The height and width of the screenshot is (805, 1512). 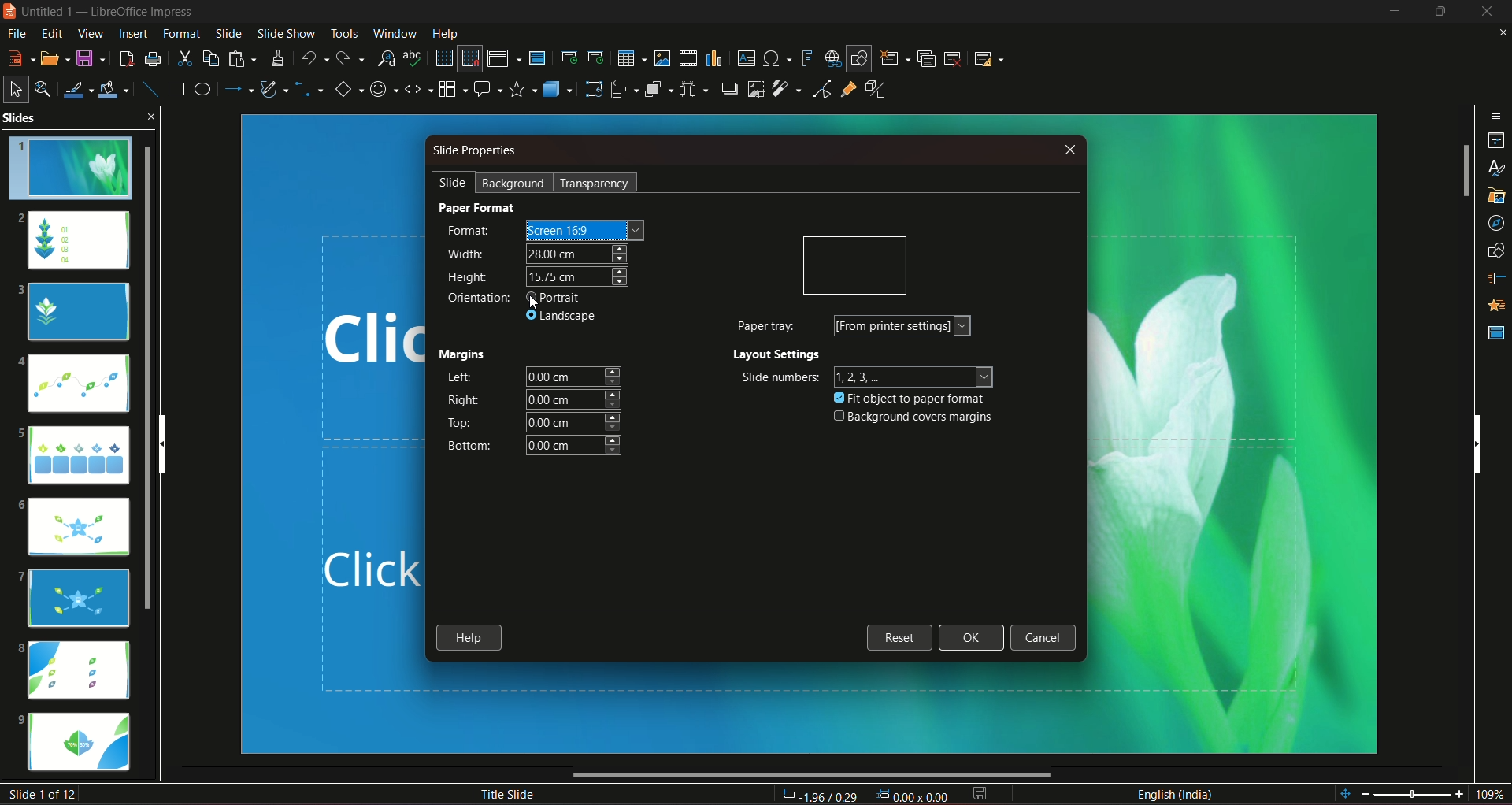 What do you see at coordinates (181, 33) in the screenshot?
I see `format` at bounding box center [181, 33].